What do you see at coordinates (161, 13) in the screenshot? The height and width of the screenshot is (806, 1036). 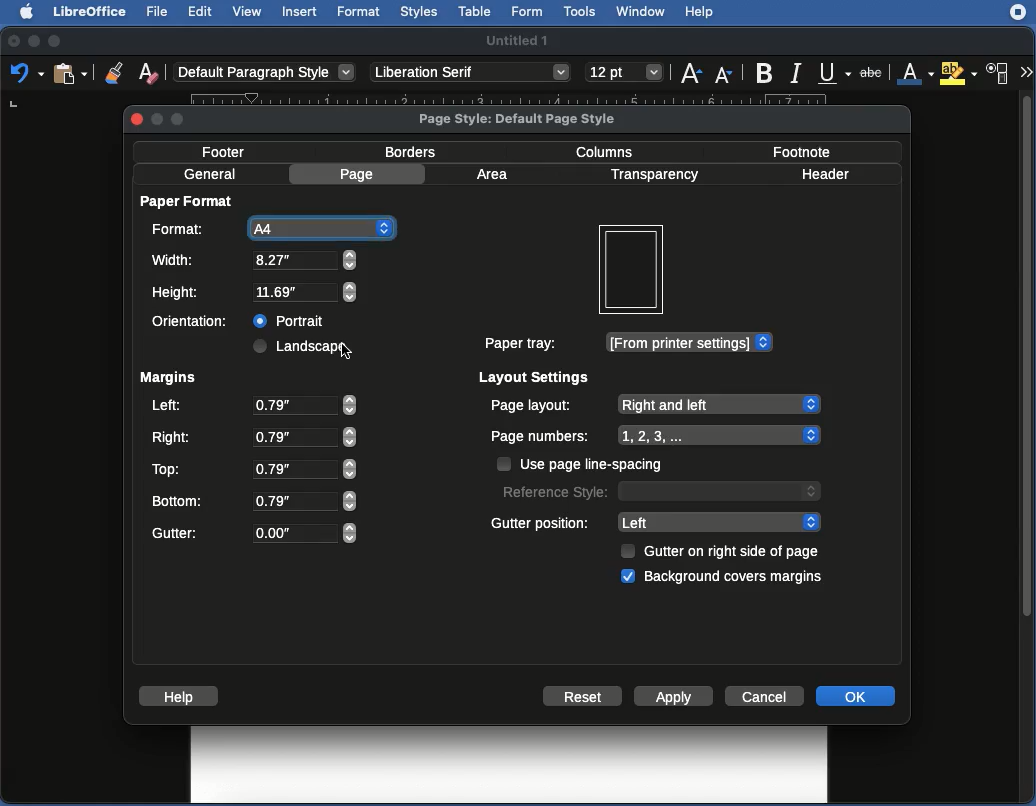 I see `File` at bounding box center [161, 13].